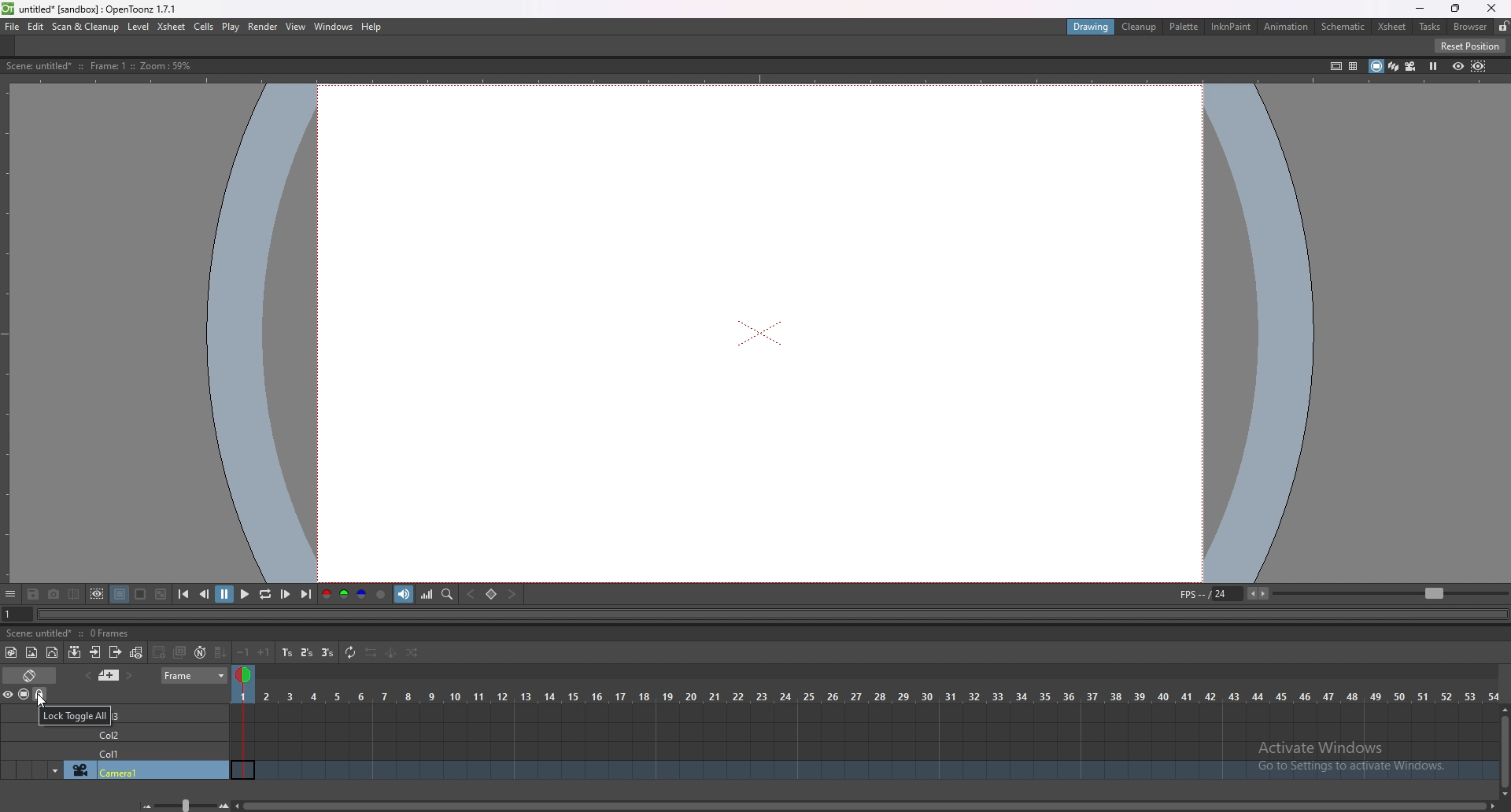  Describe the element at coordinates (128, 676) in the screenshot. I see `next memo` at that location.